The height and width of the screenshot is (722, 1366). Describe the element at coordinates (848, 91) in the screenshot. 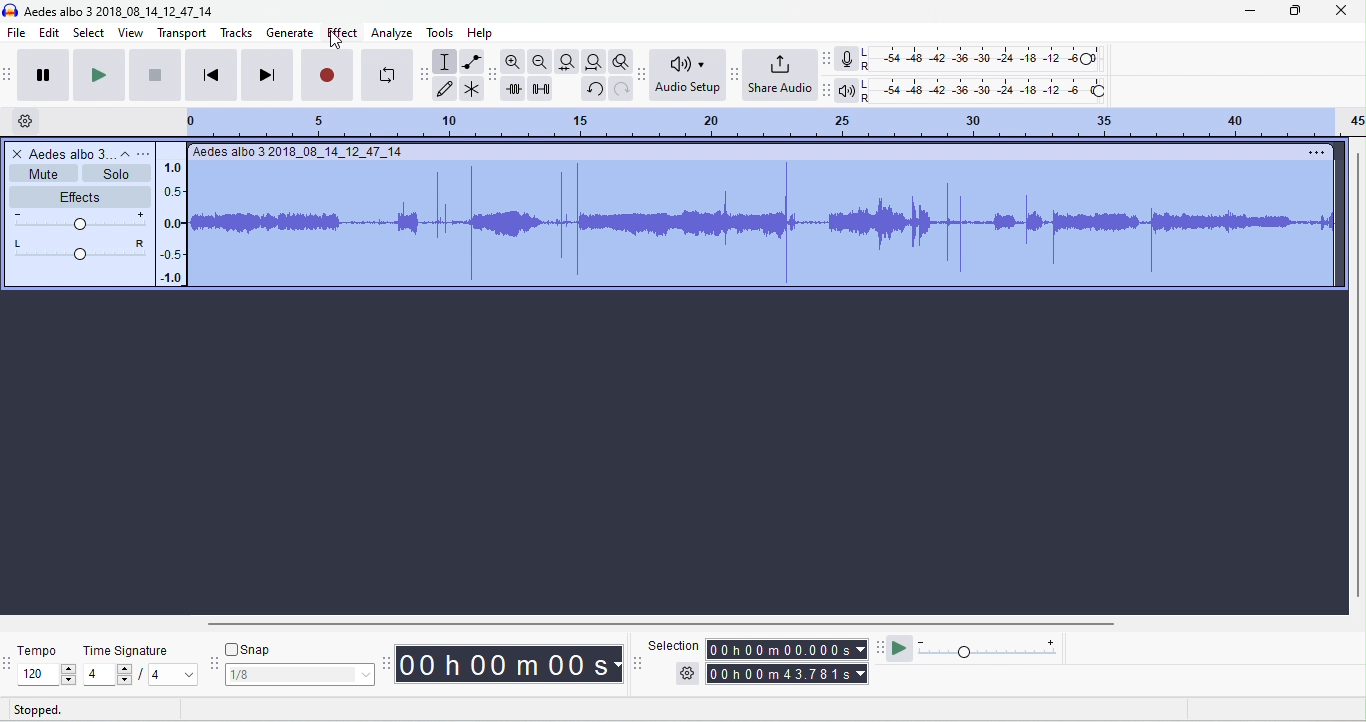

I see `playback meter` at that location.